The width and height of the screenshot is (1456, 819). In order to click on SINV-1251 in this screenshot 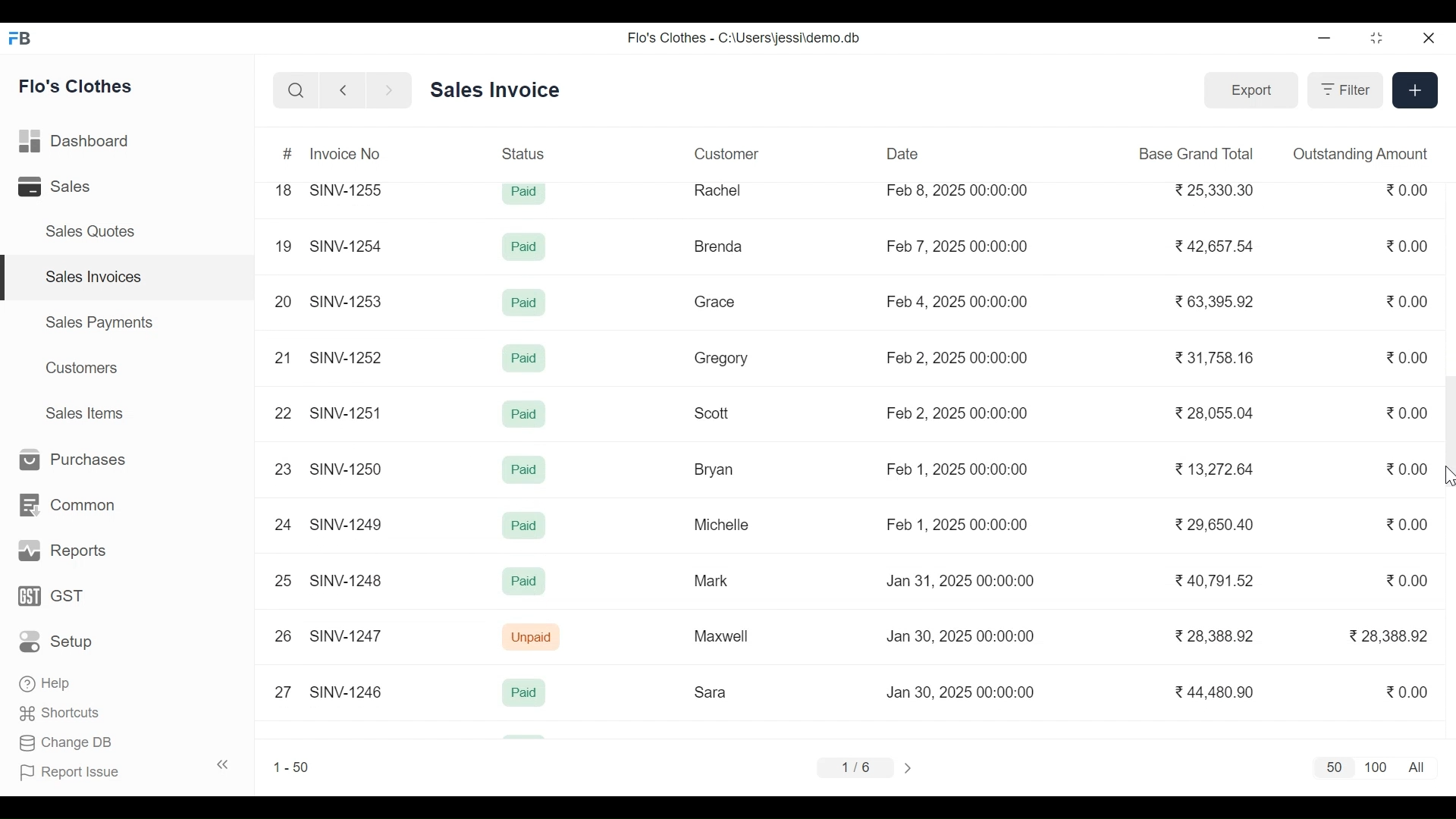, I will do `click(347, 413)`.